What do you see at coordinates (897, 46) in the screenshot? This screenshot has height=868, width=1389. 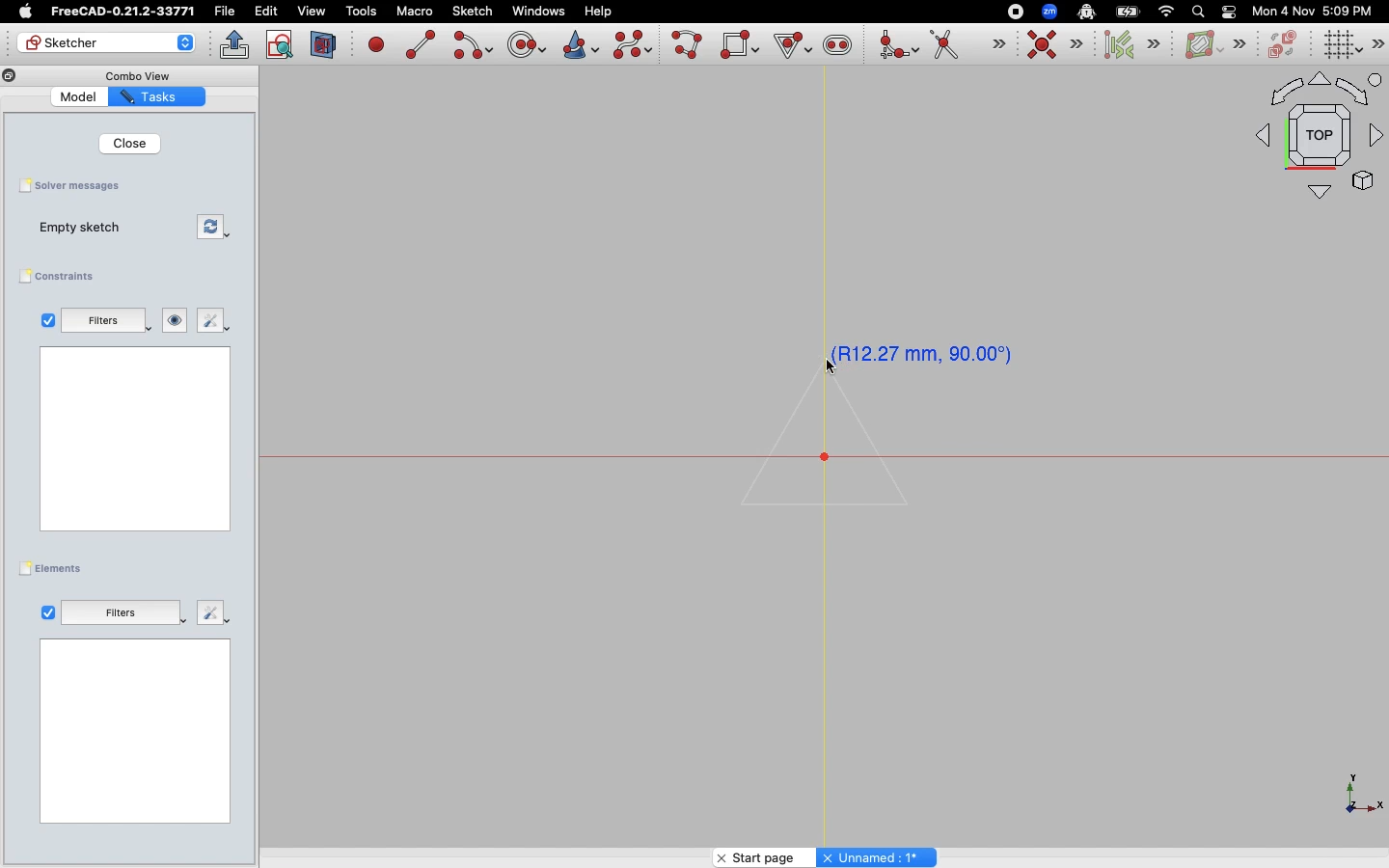 I see `Create fillet` at bounding box center [897, 46].